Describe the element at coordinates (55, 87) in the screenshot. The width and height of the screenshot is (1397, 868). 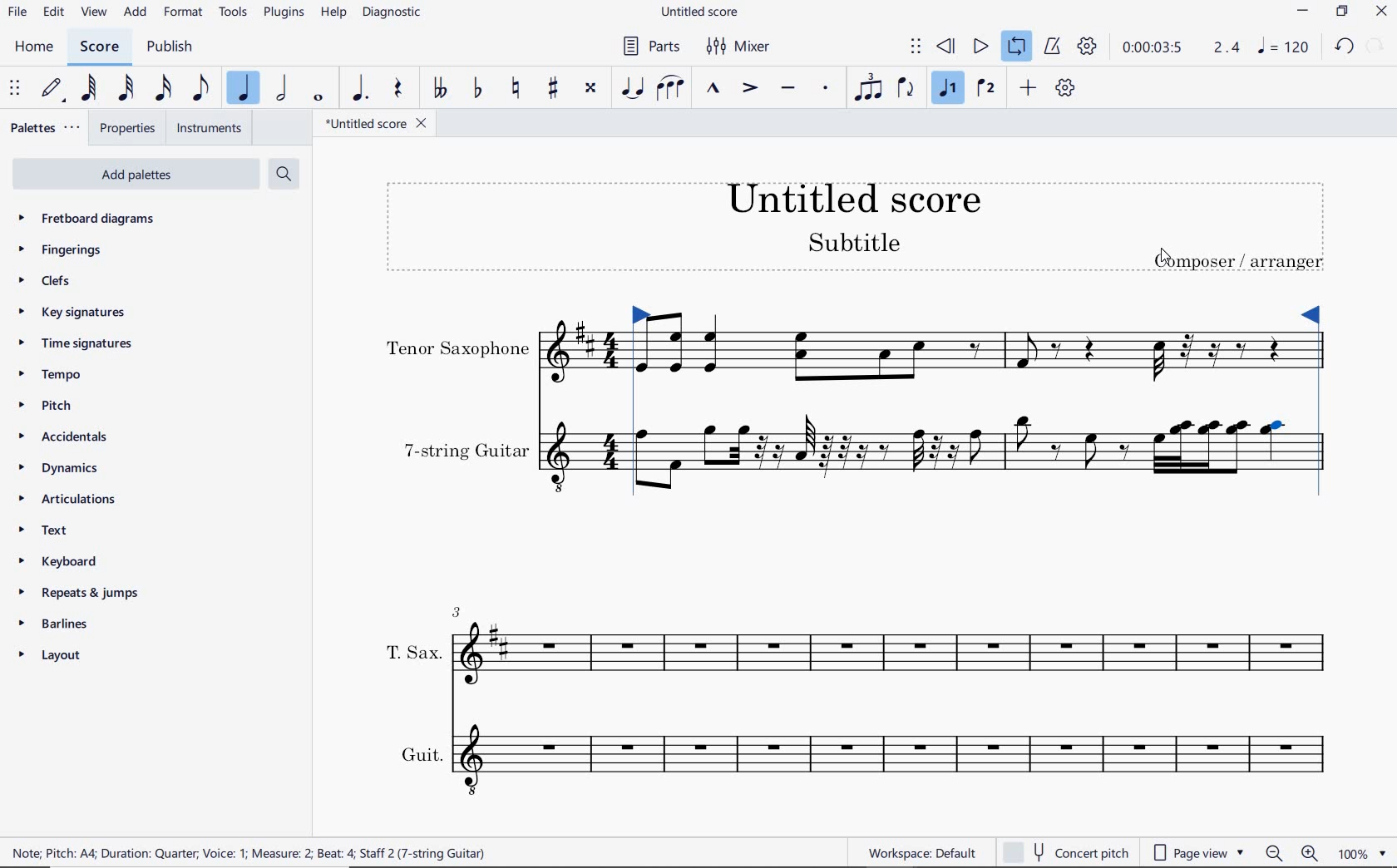
I see `DEFAULT (STEP TIME)` at that location.